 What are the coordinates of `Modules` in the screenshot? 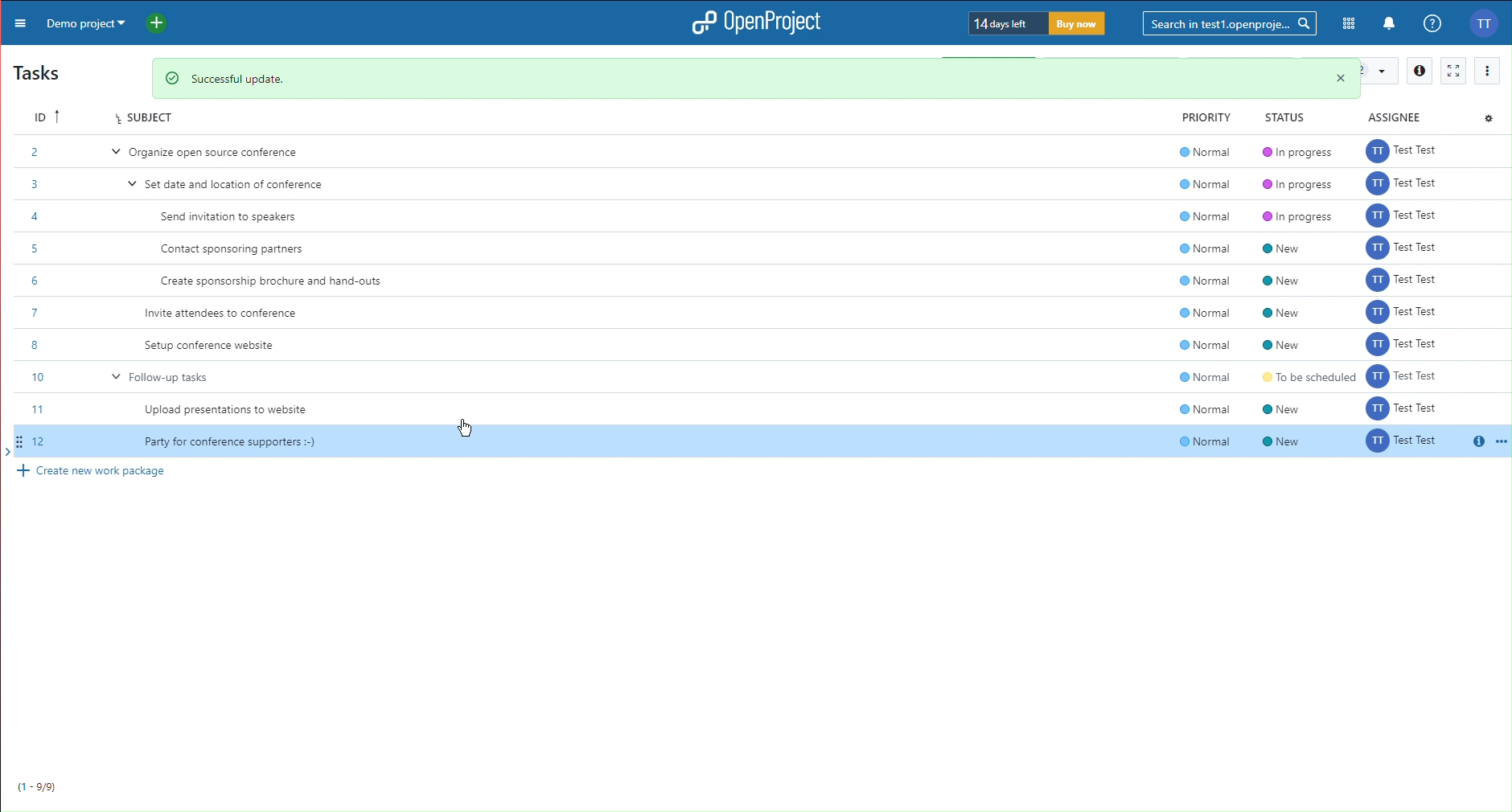 It's located at (1350, 24).